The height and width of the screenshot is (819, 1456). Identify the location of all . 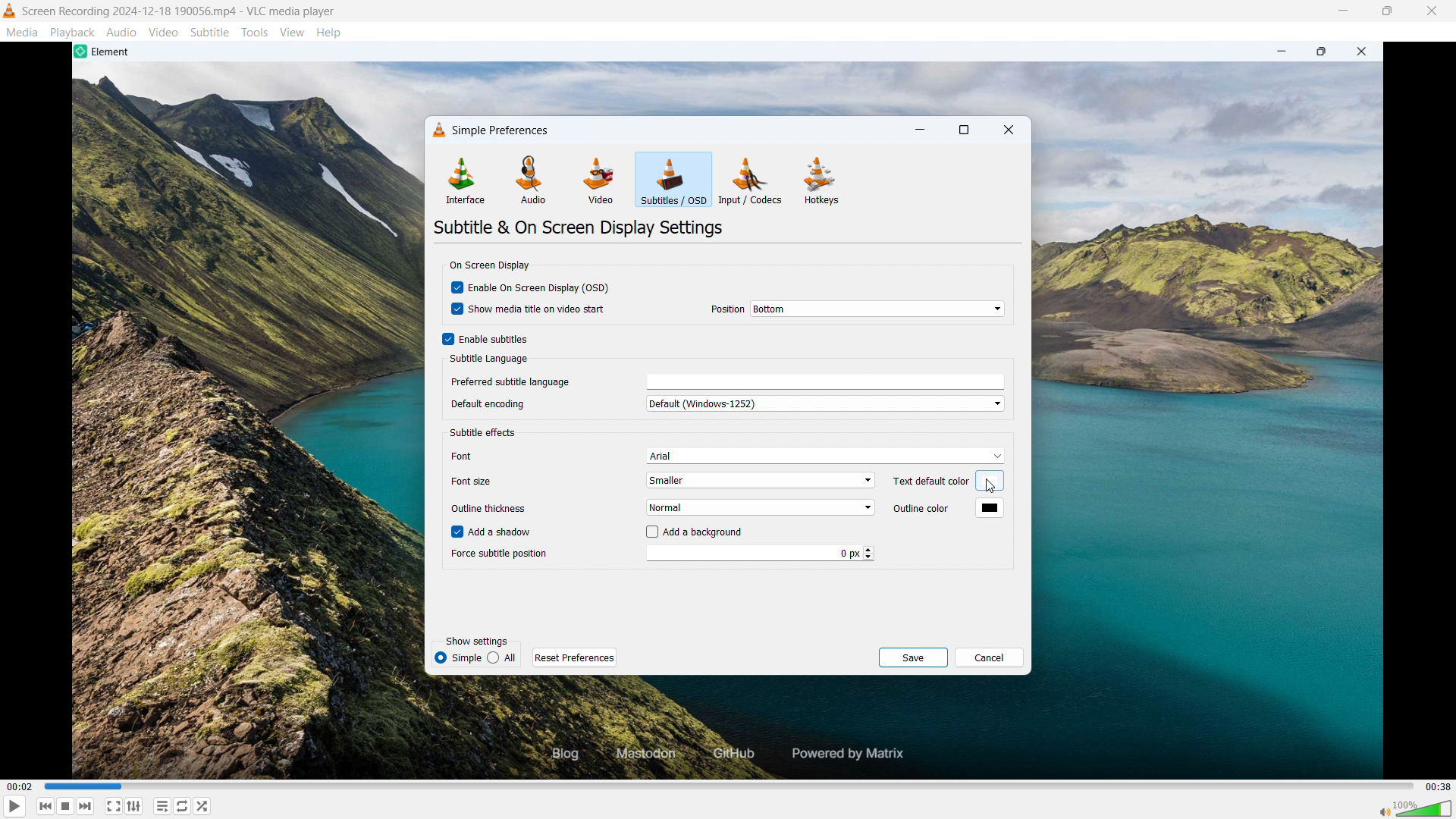
(503, 657).